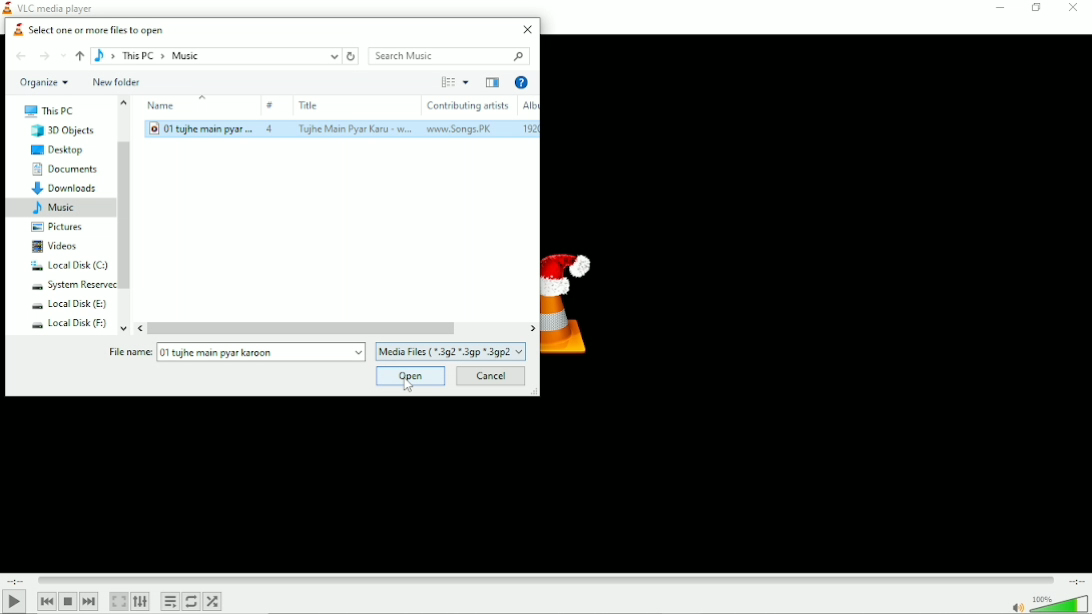 This screenshot has width=1092, height=614. Describe the element at coordinates (62, 56) in the screenshot. I see `Recent locations` at that location.